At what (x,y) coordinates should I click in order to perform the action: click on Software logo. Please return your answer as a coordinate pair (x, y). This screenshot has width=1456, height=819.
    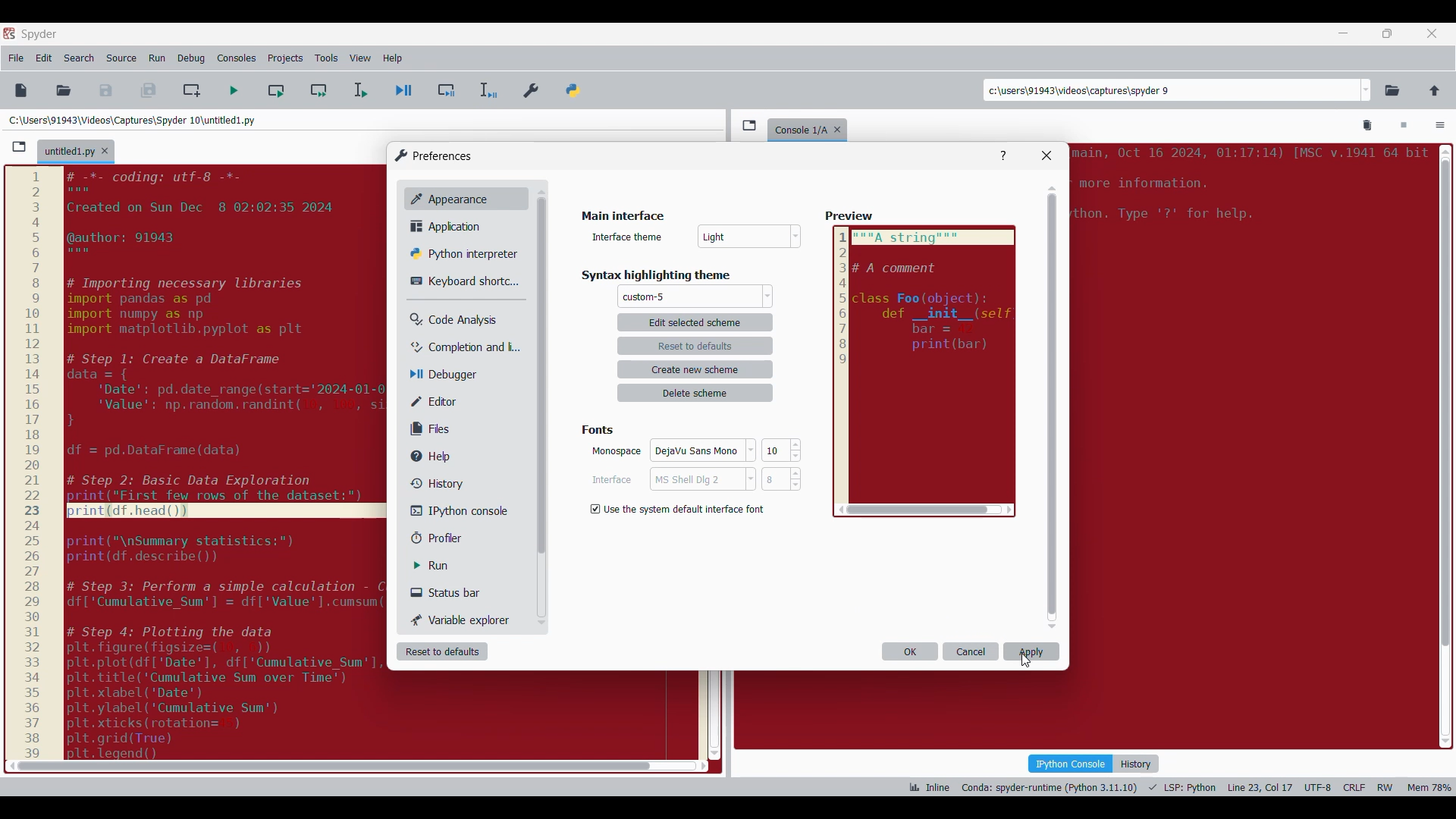
    Looking at the image, I should click on (9, 33).